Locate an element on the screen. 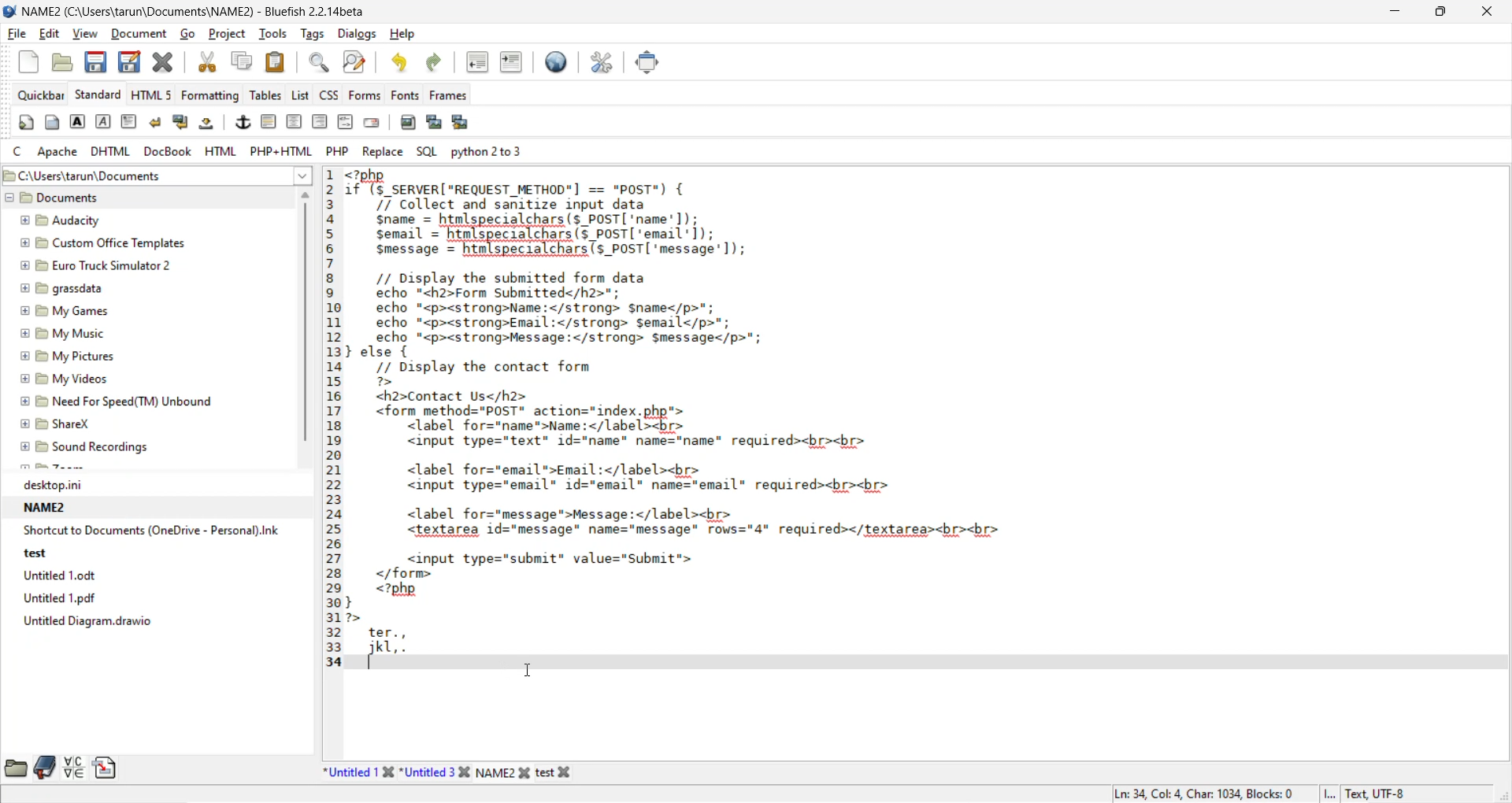 The width and height of the screenshot is (1512, 803). save is located at coordinates (94, 65).